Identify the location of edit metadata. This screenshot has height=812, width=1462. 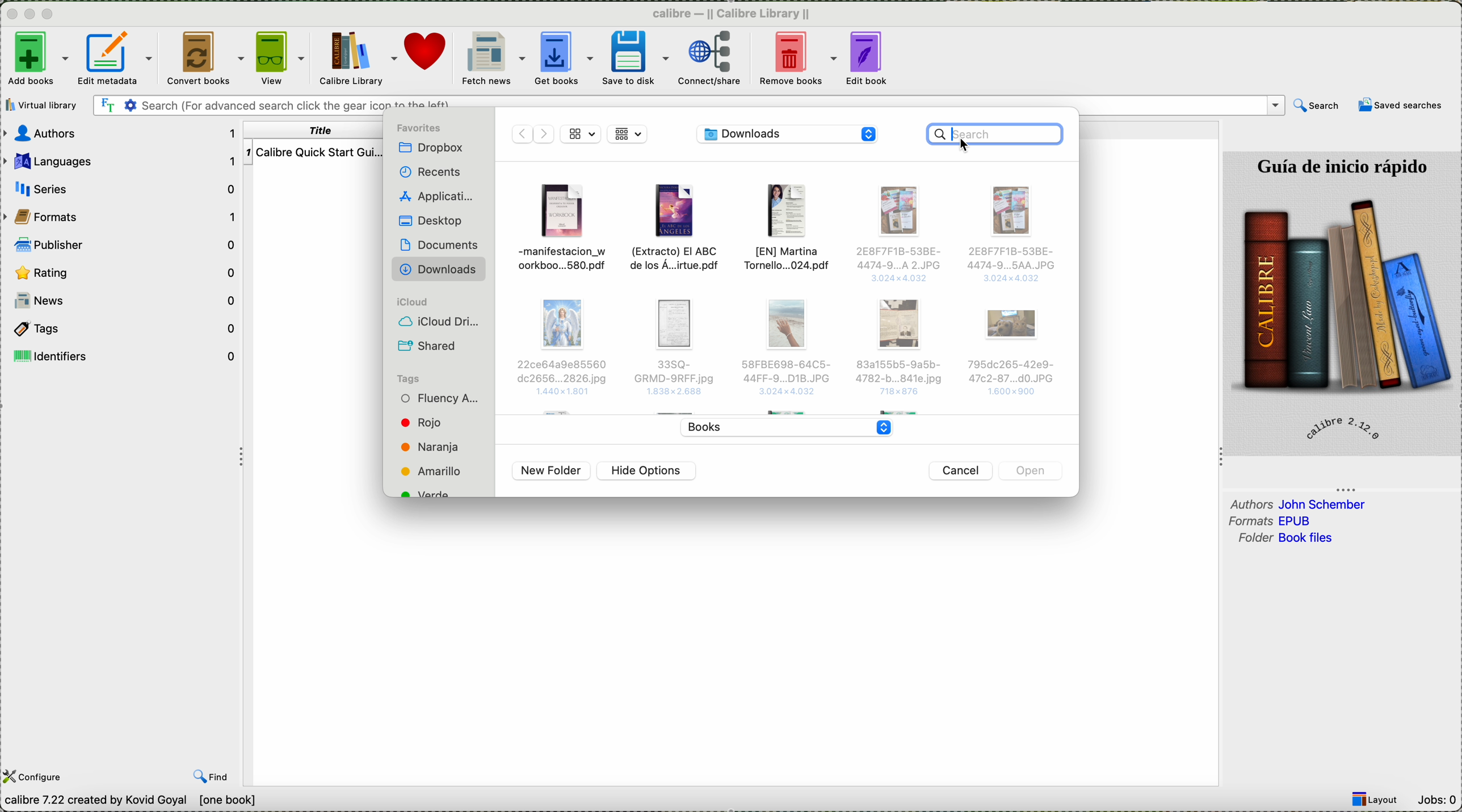
(118, 57).